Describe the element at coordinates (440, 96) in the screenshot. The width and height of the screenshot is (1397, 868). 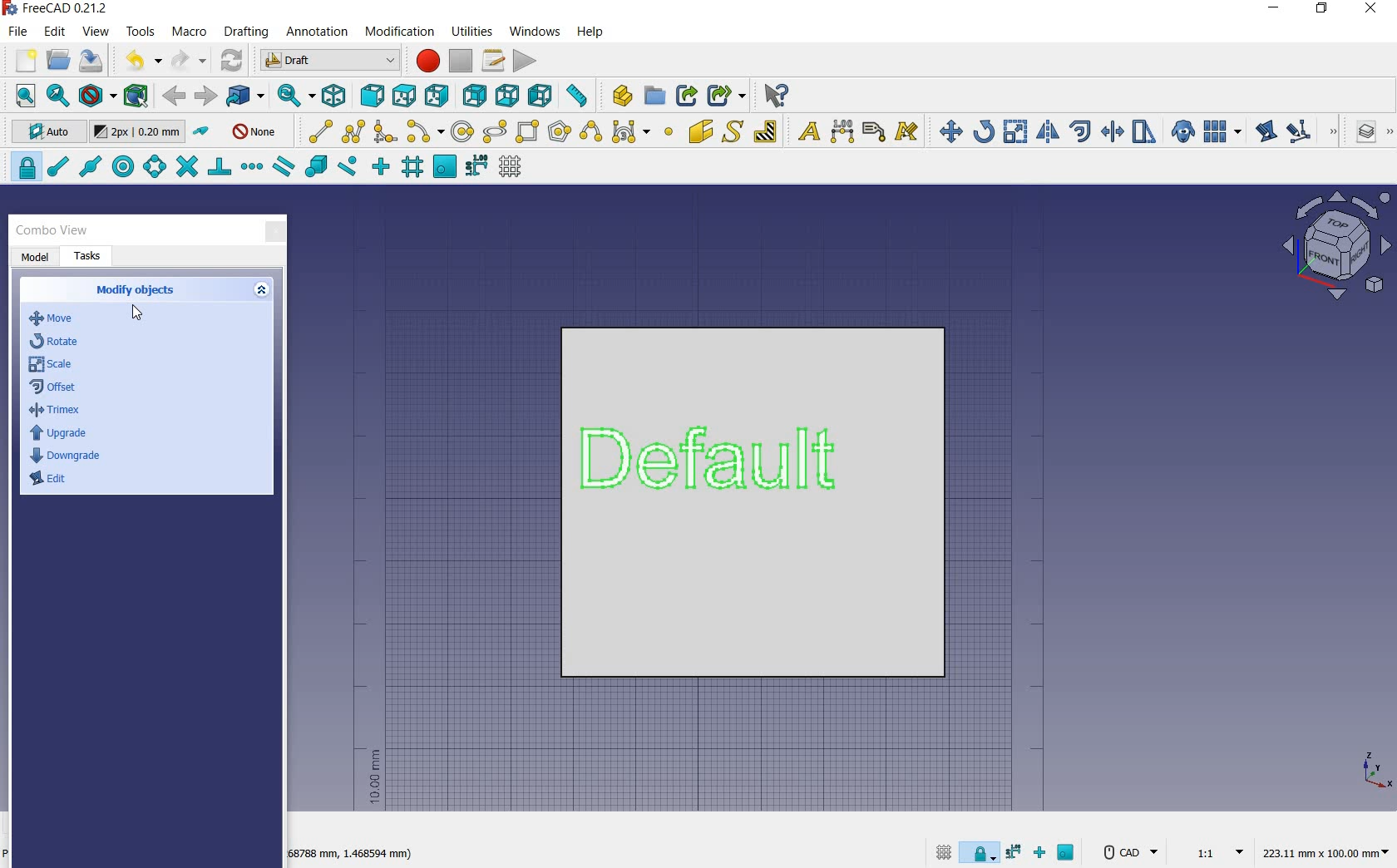
I see `right` at that location.